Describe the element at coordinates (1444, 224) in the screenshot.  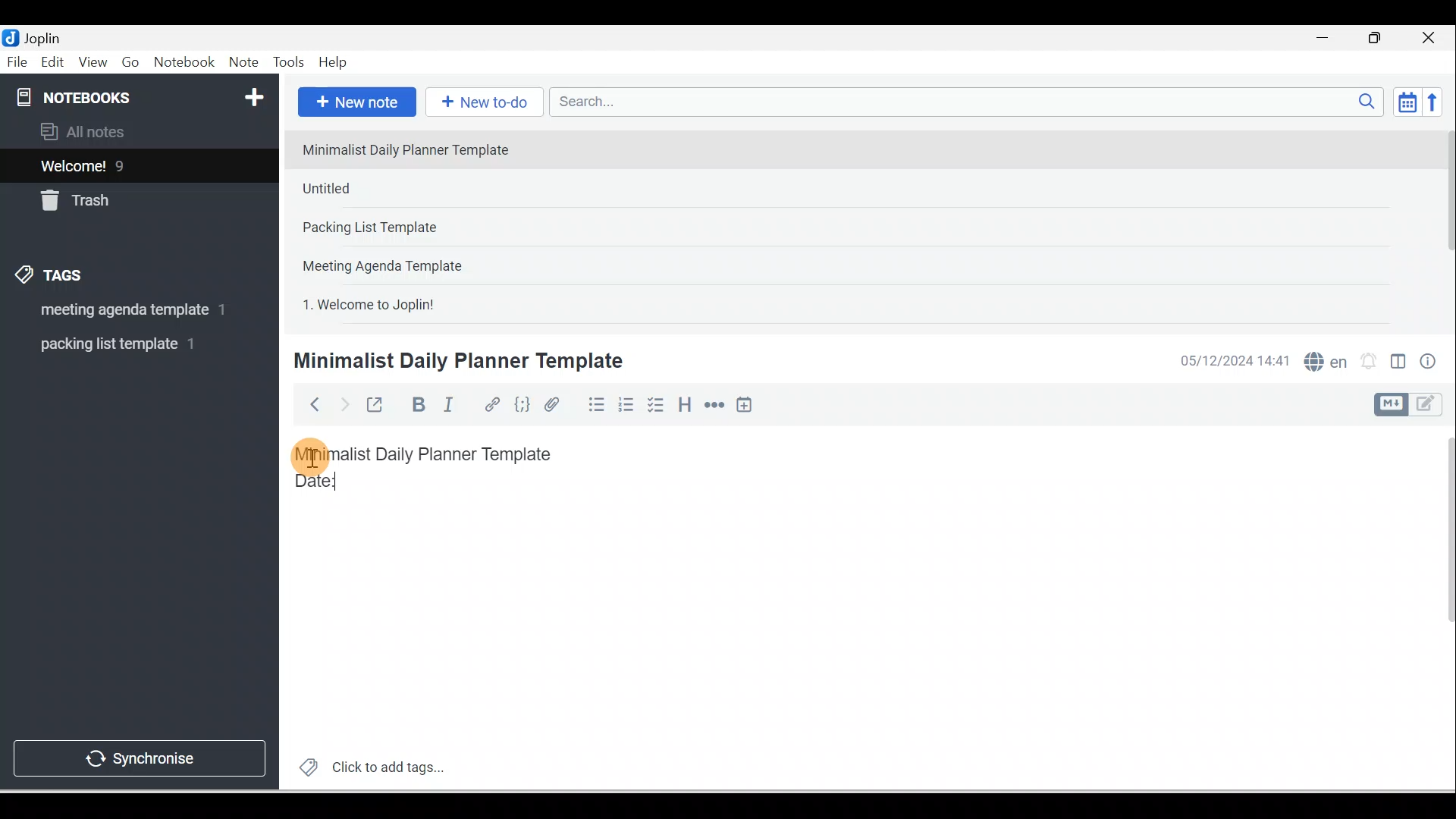
I see `Scroll bar` at that location.